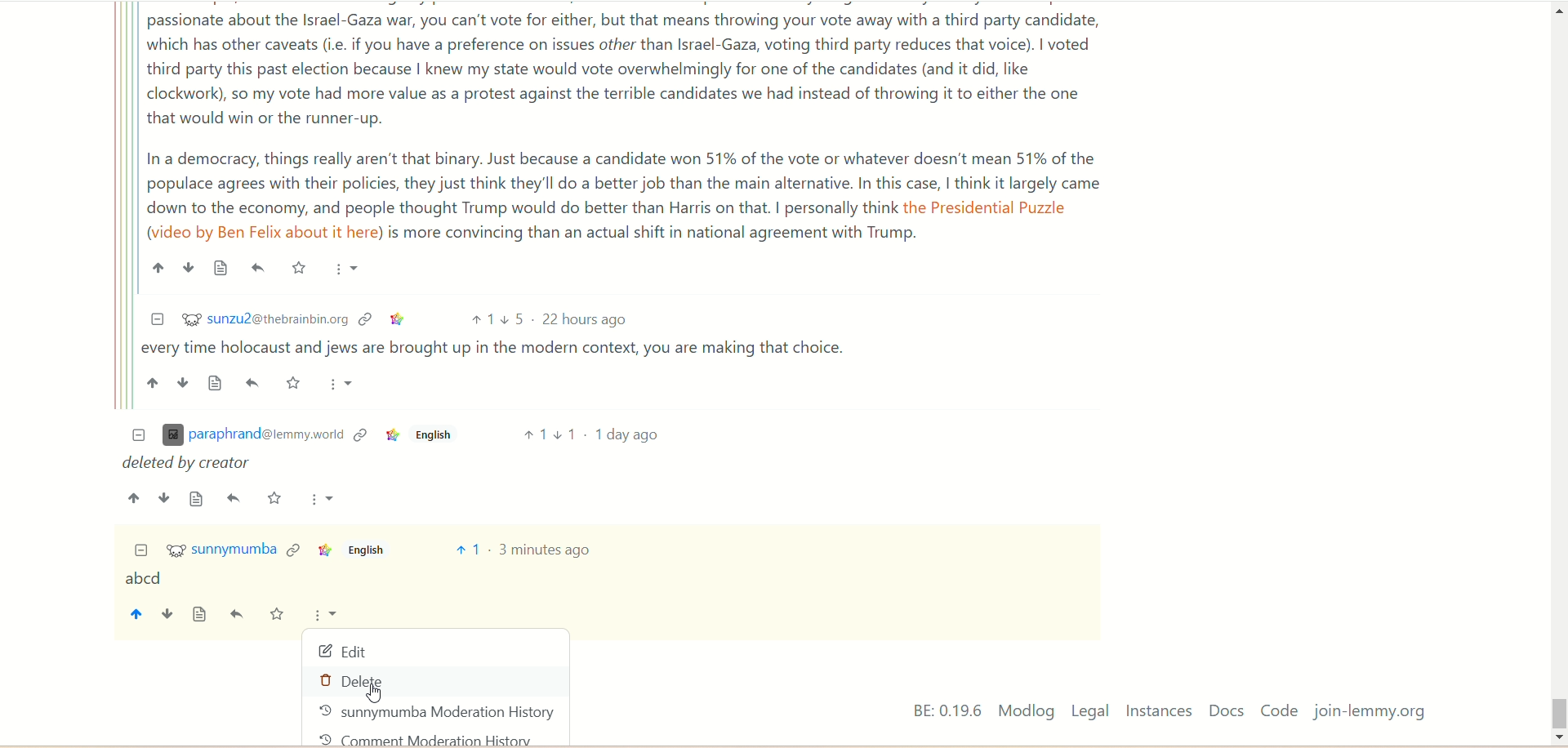 This screenshot has width=1568, height=748. I want to click on (l paraphrand@iemmy.worid, so click(252, 436).